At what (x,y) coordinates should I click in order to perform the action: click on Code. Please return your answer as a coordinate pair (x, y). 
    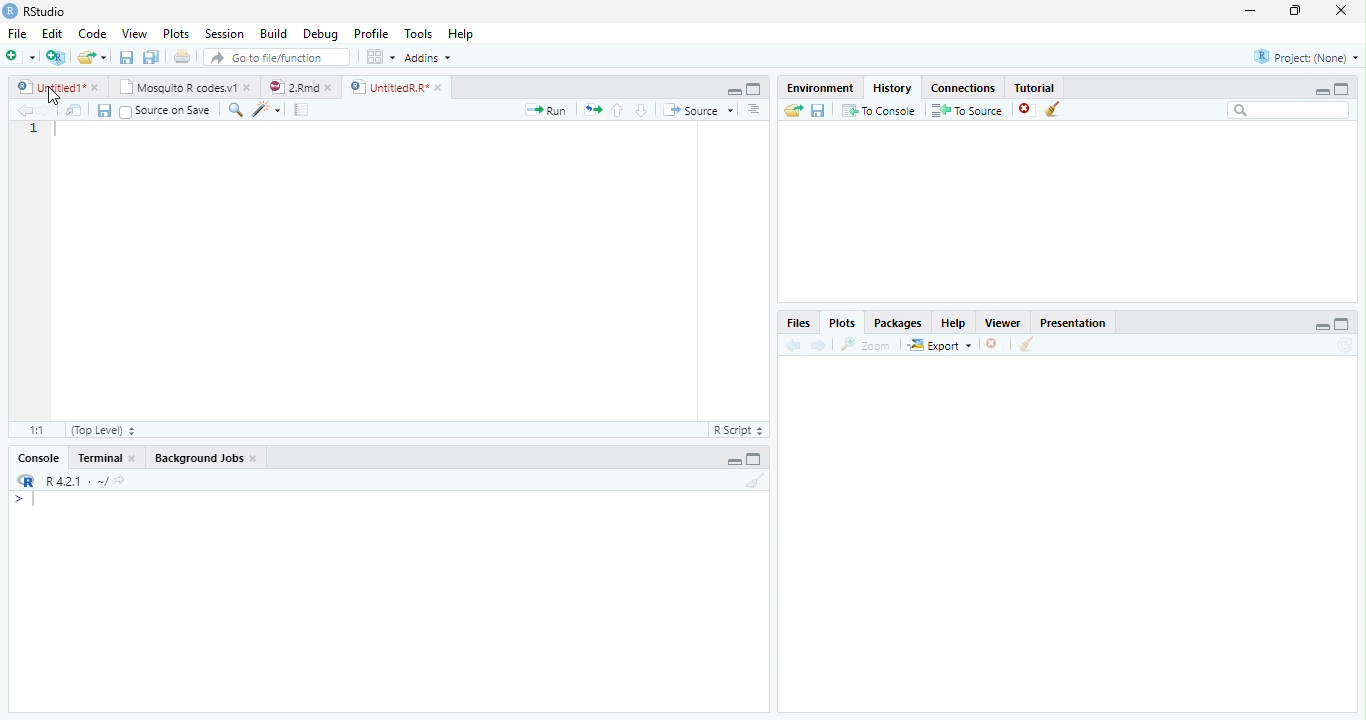
    Looking at the image, I should click on (93, 34).